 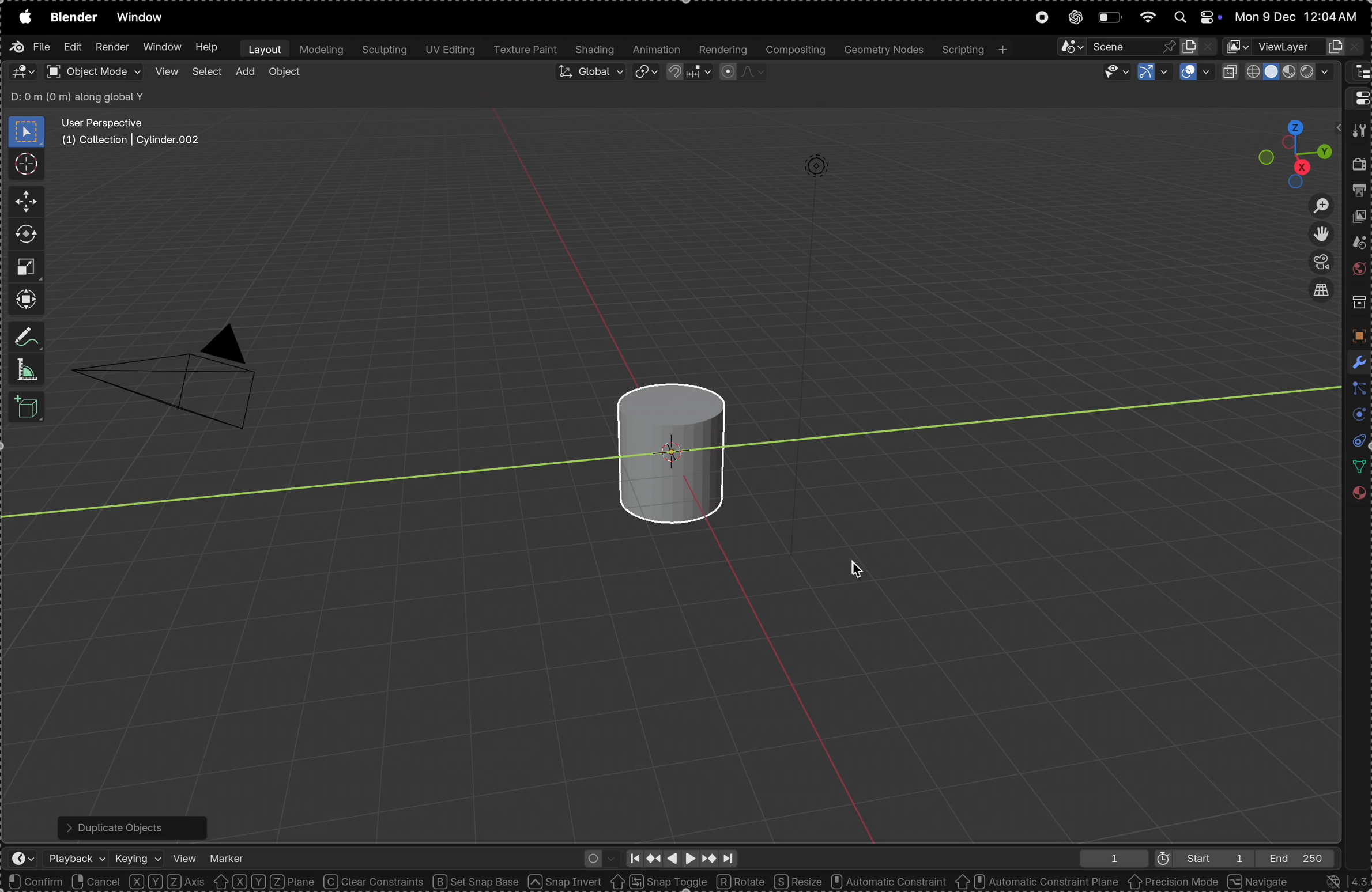 What do you see at coordinates (858, 566) in the screenshot?
I see `cusor` at bounding box center [858, 566].